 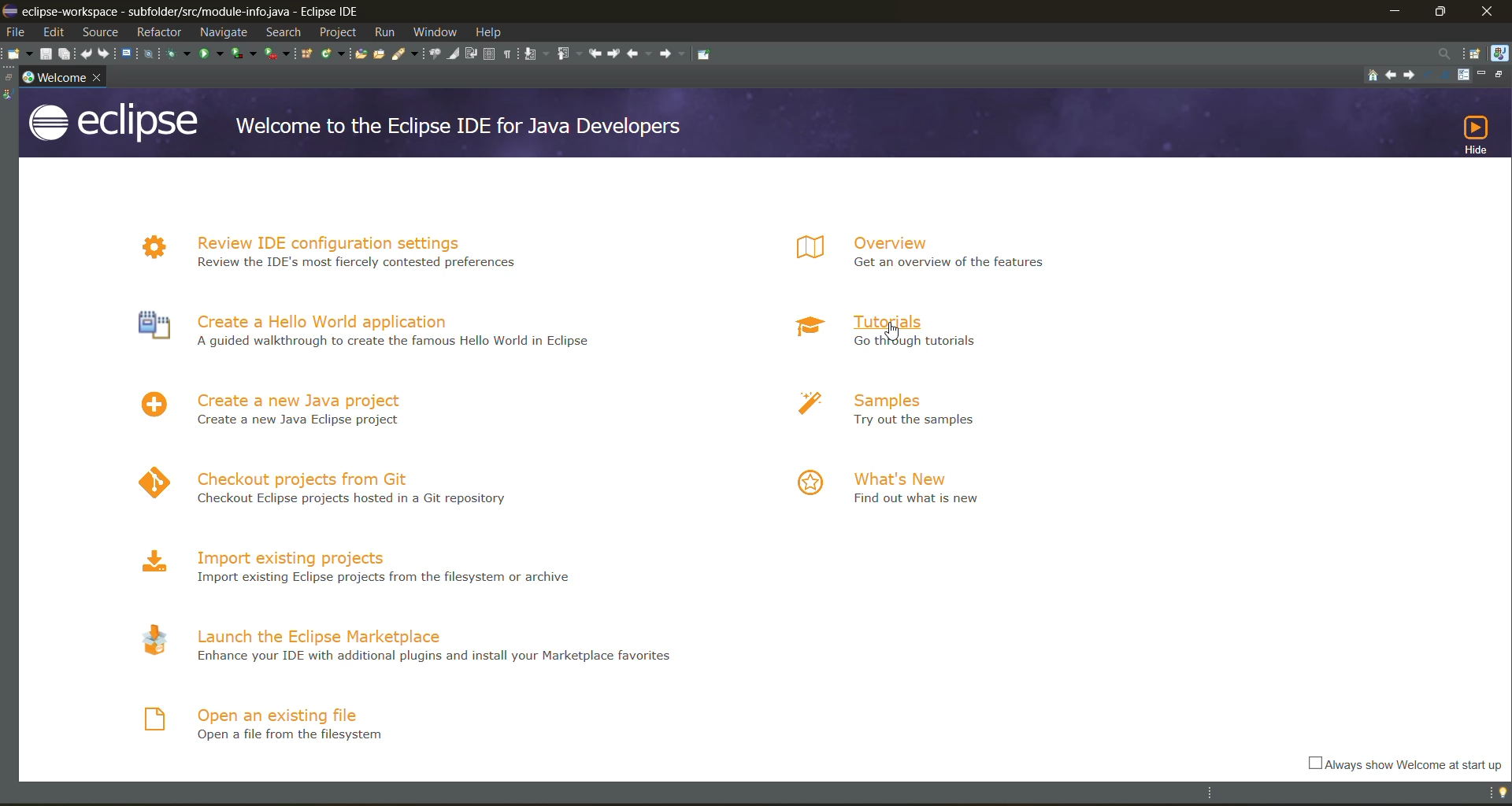 I want to click on cursor, so click(x=895, y=331).